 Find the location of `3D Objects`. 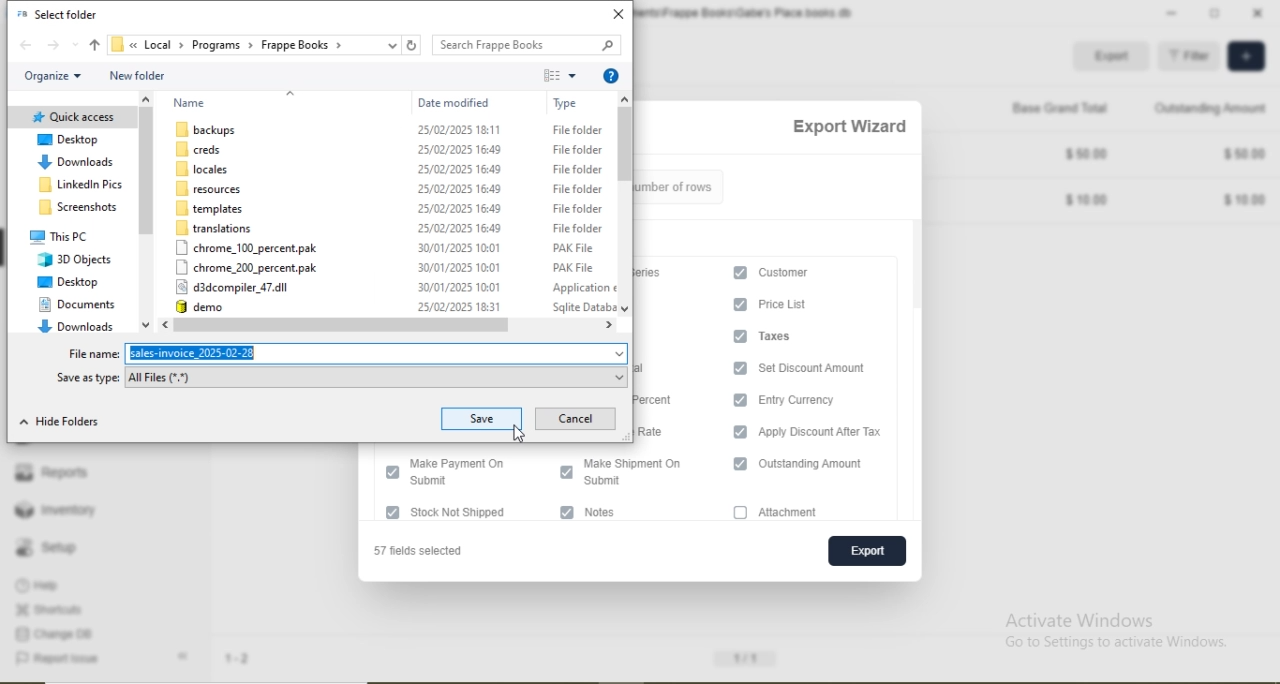

3D Objects is located at coordinates (76, 259).